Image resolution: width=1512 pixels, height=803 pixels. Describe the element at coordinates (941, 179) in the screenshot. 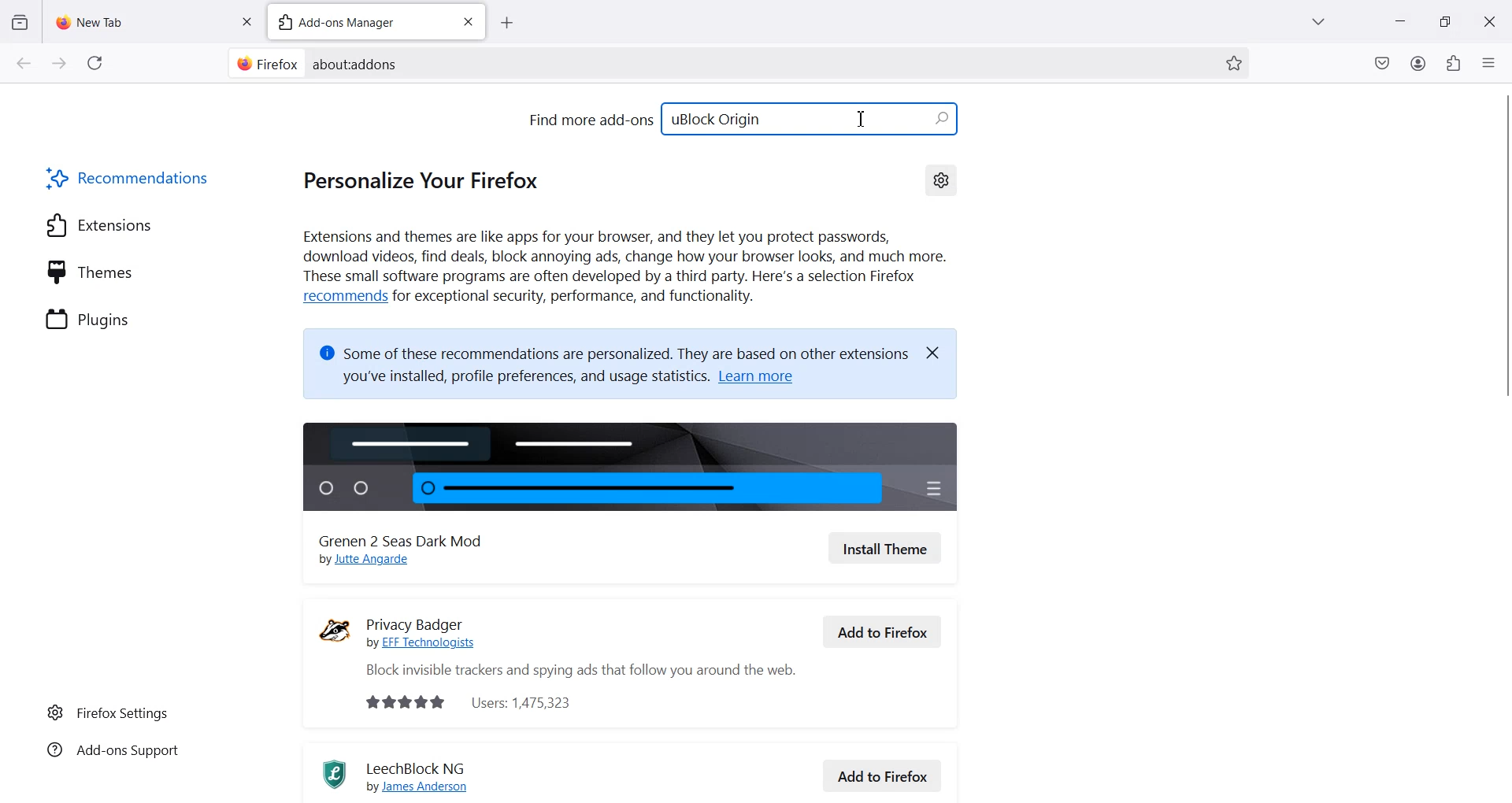

I see `Settings` at that location.